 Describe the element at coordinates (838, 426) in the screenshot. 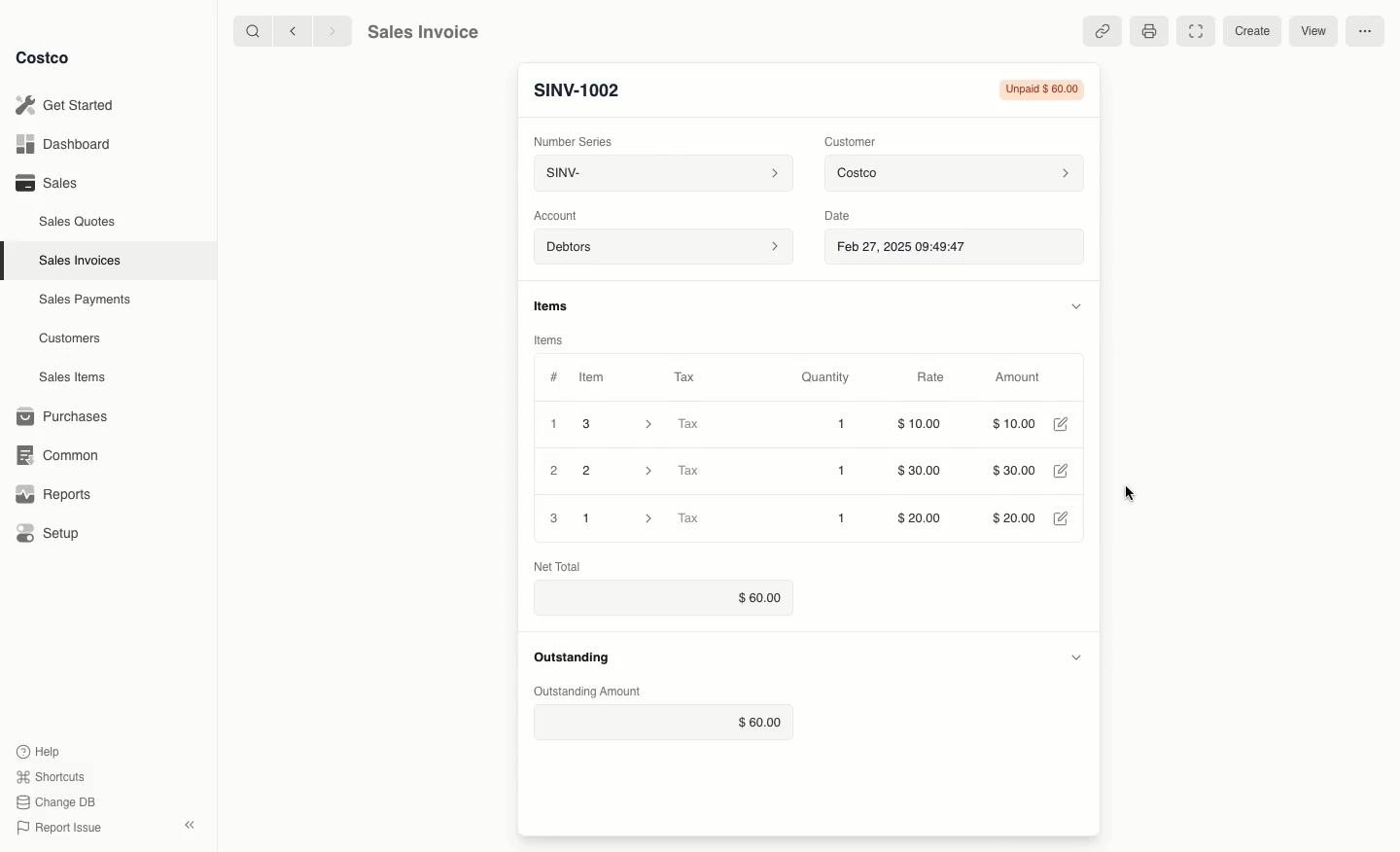

I see `1` at that location.